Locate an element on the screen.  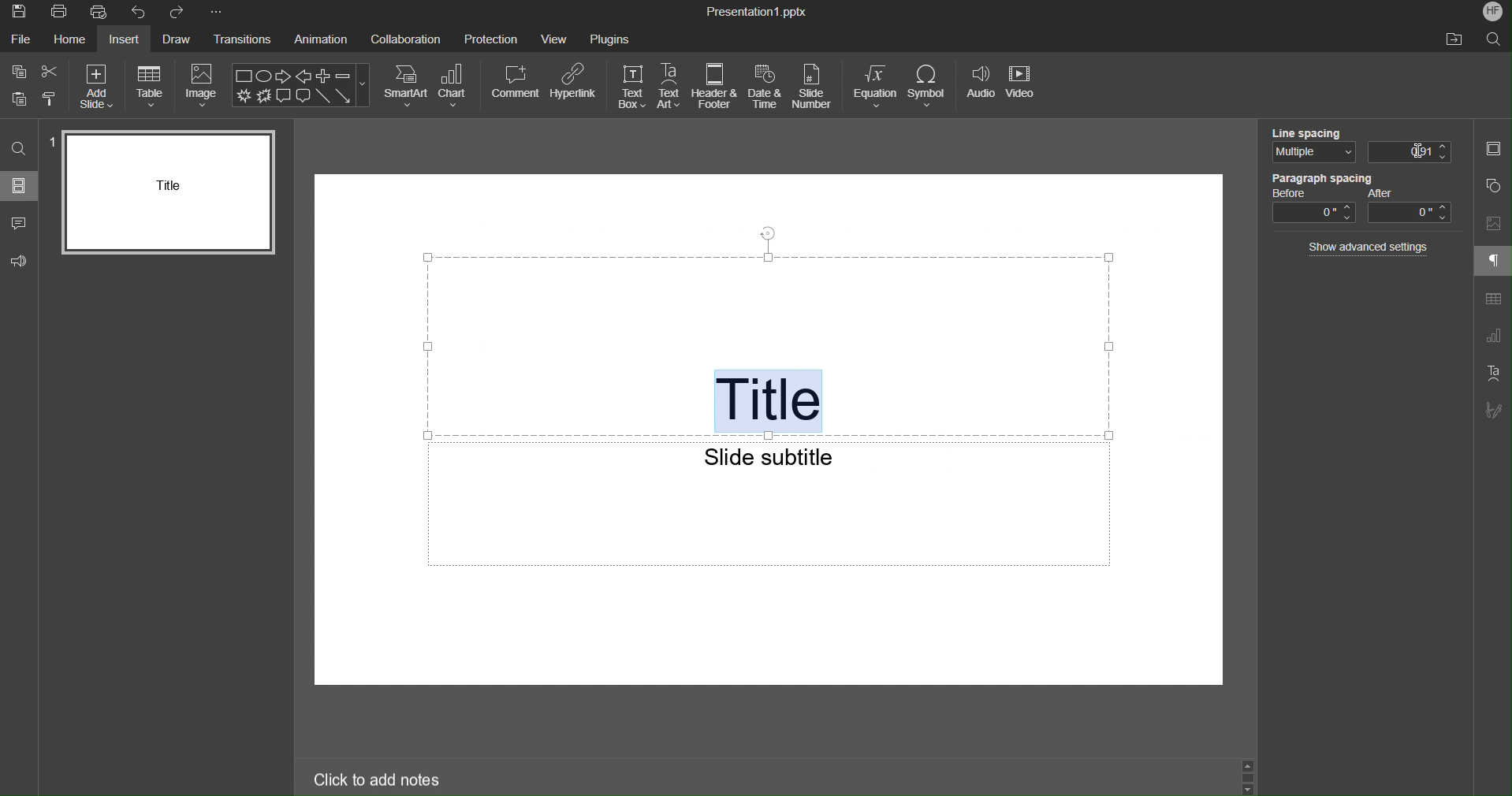
Comment is located at coordinates (19, 222).